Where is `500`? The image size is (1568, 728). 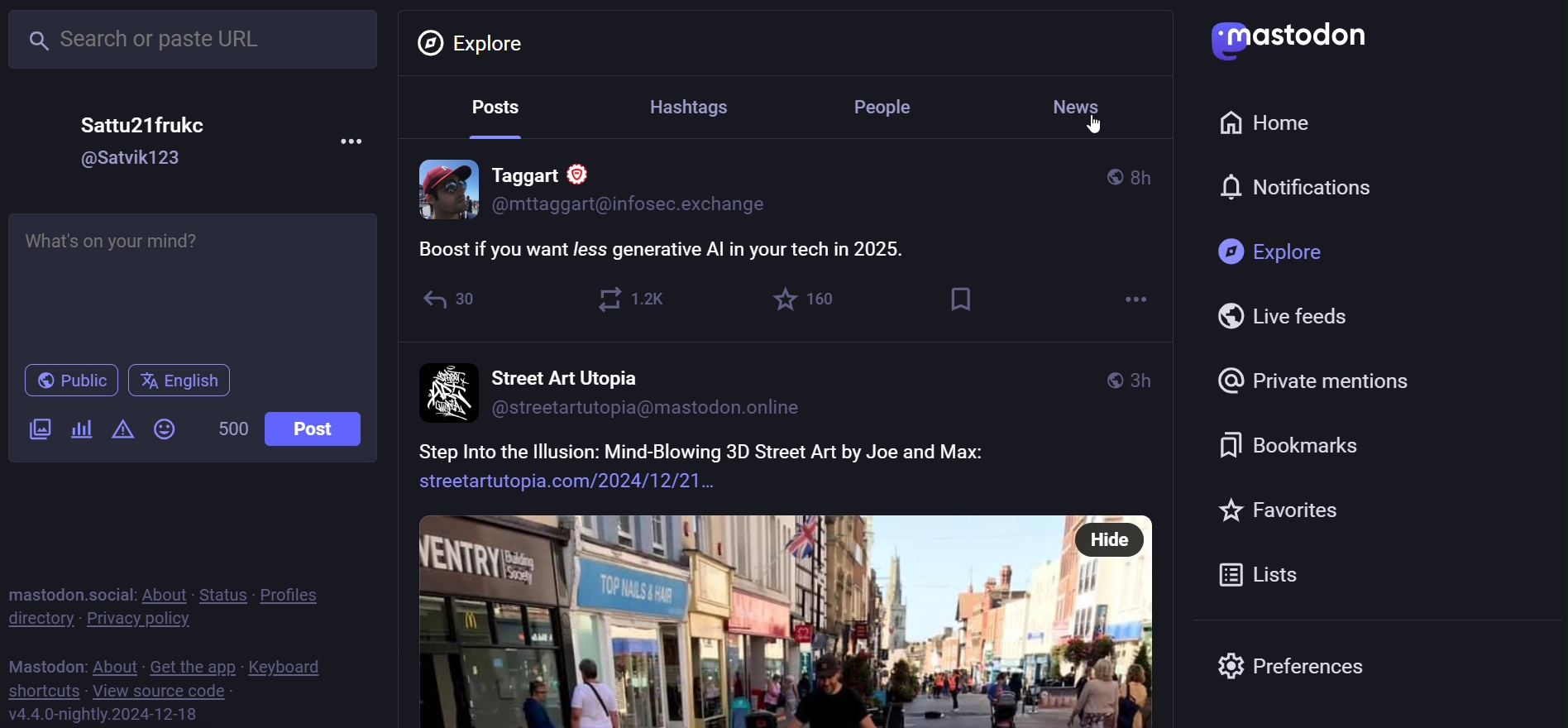 500 is located at coordinates (232, 430).